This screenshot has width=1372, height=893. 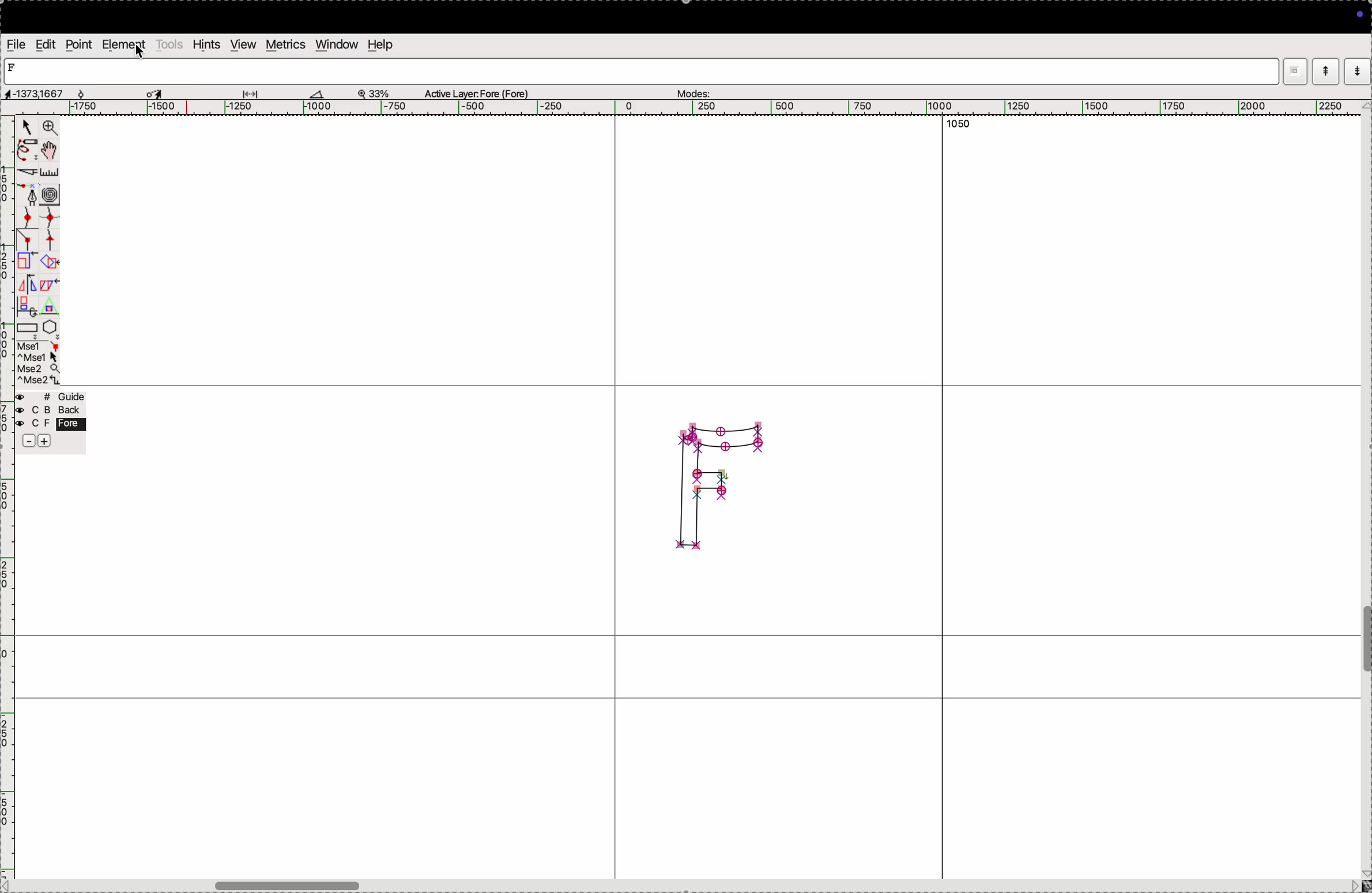 I want to click on glyph F, so click(x=718, y=485).